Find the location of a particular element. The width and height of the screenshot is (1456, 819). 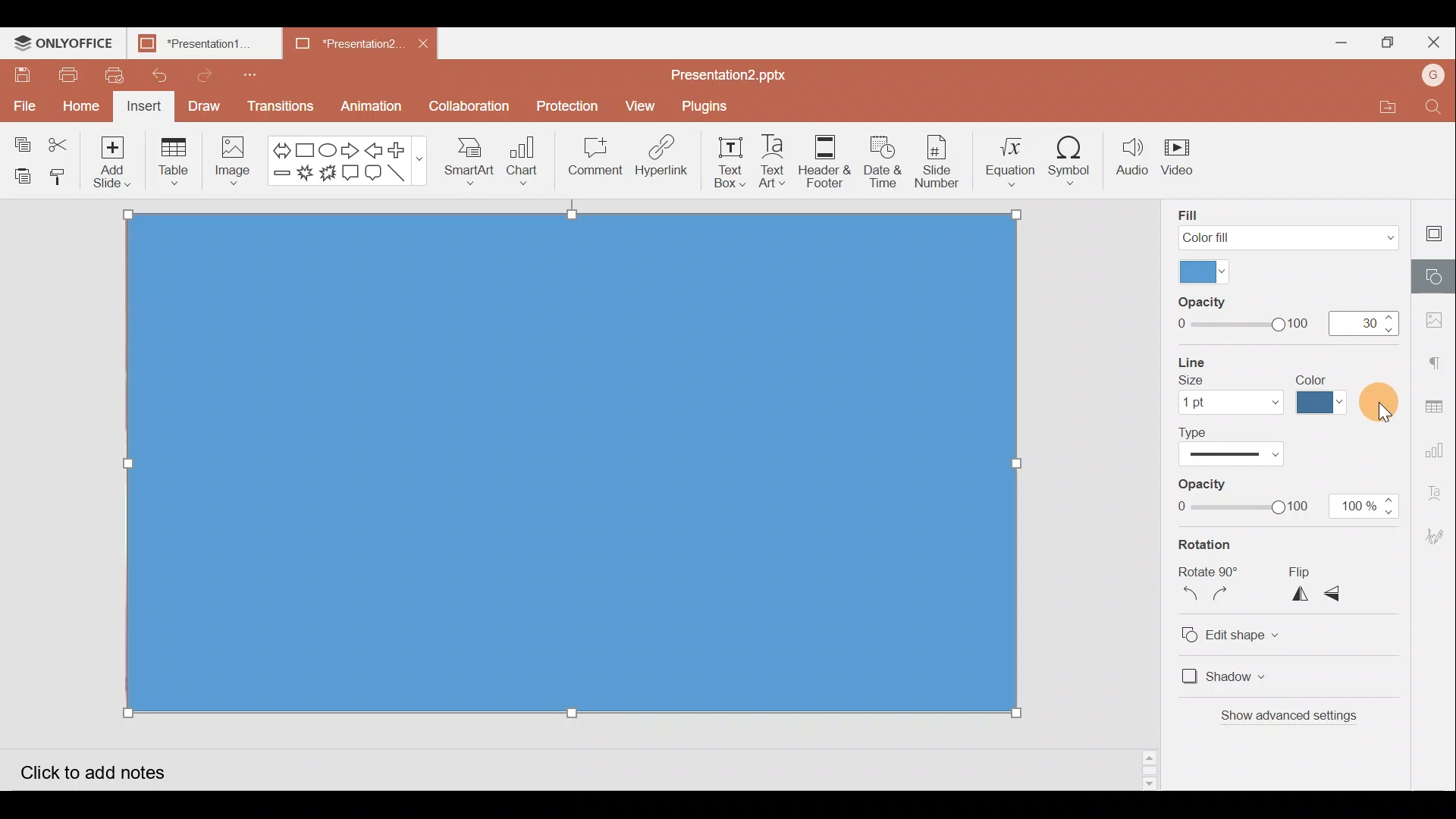

Home is located at coordinates (82, 105).